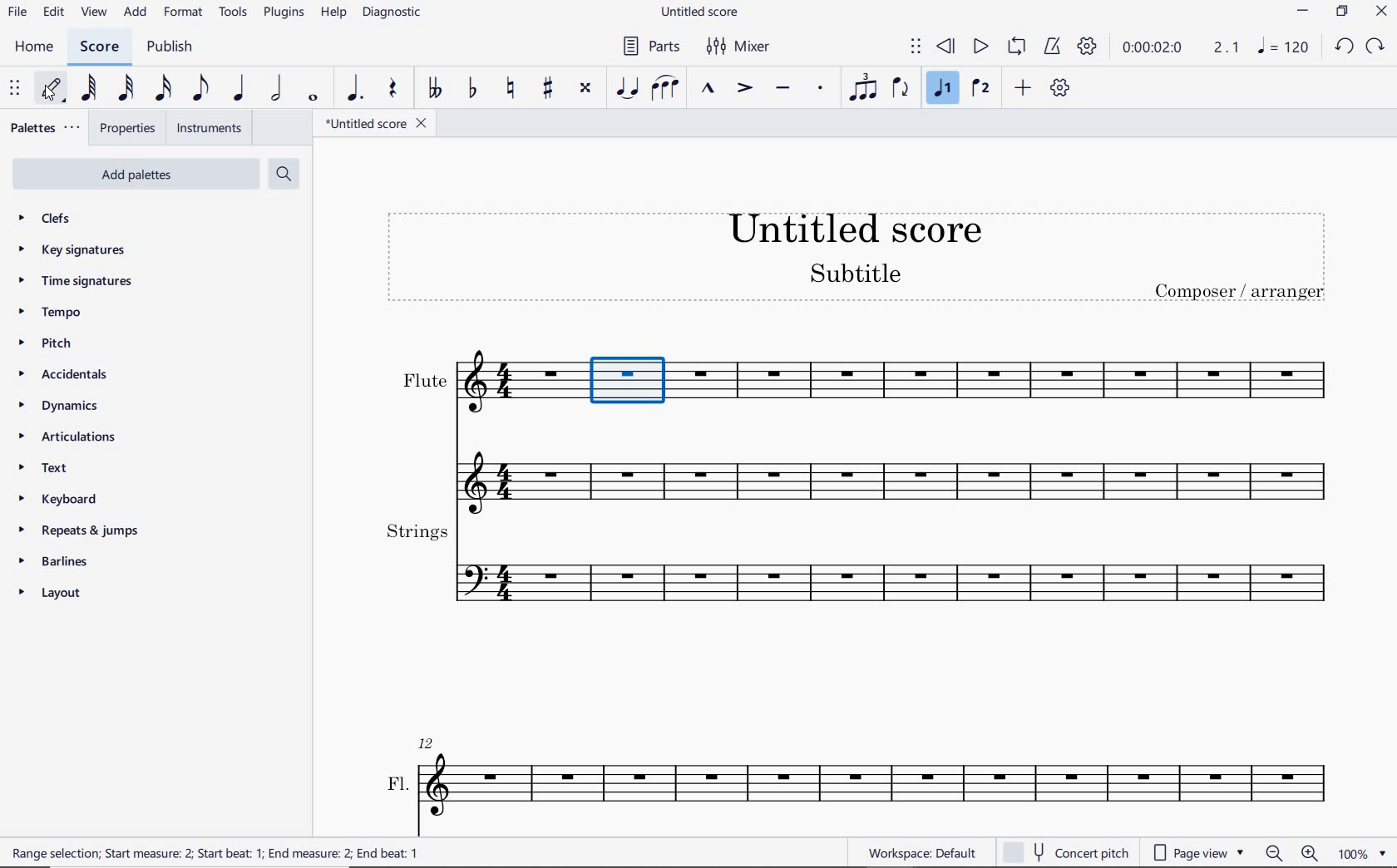 The image size is (1397, 868). What do you see at coordinates (285, 13) in the screenshot?
I see `PLUGINS` at bounding box center [285, 13].